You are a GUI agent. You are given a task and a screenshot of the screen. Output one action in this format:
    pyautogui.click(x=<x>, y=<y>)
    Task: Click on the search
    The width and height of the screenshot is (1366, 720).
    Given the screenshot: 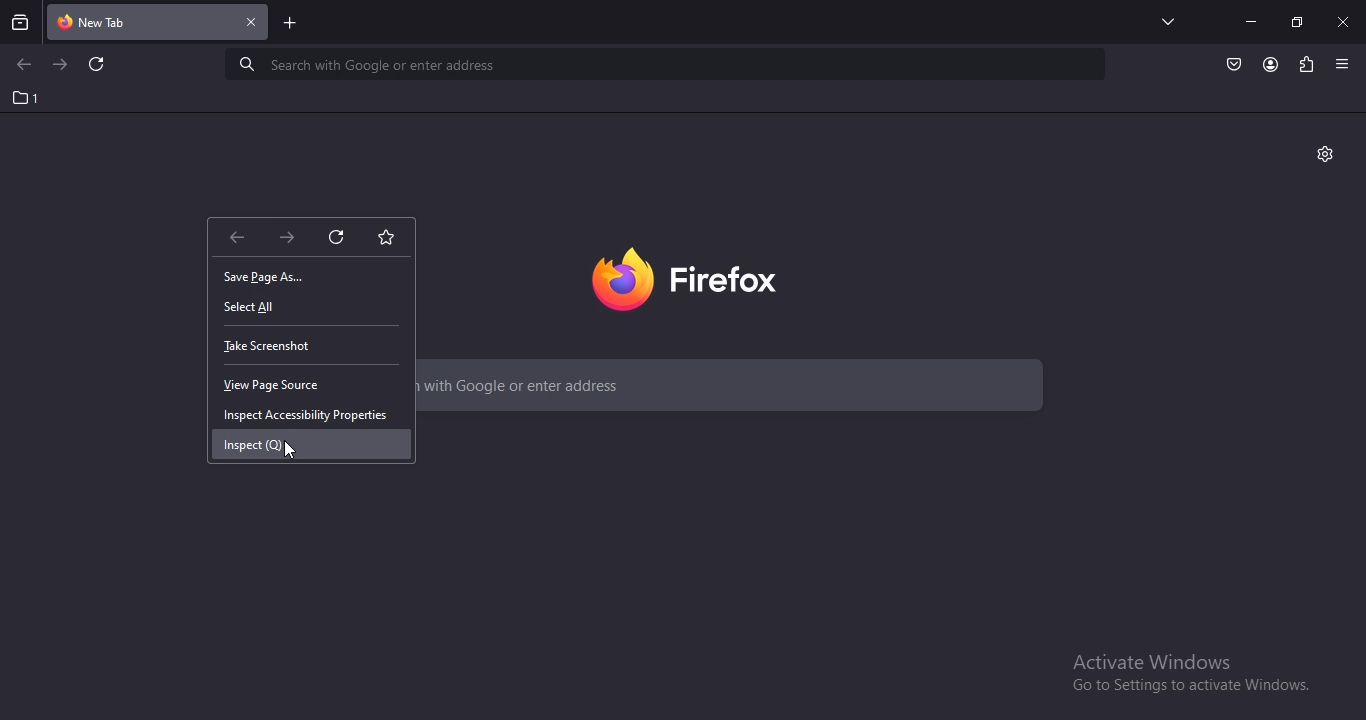 What is the action you would take?
    pyautogui.click(x=668, y=64)
    